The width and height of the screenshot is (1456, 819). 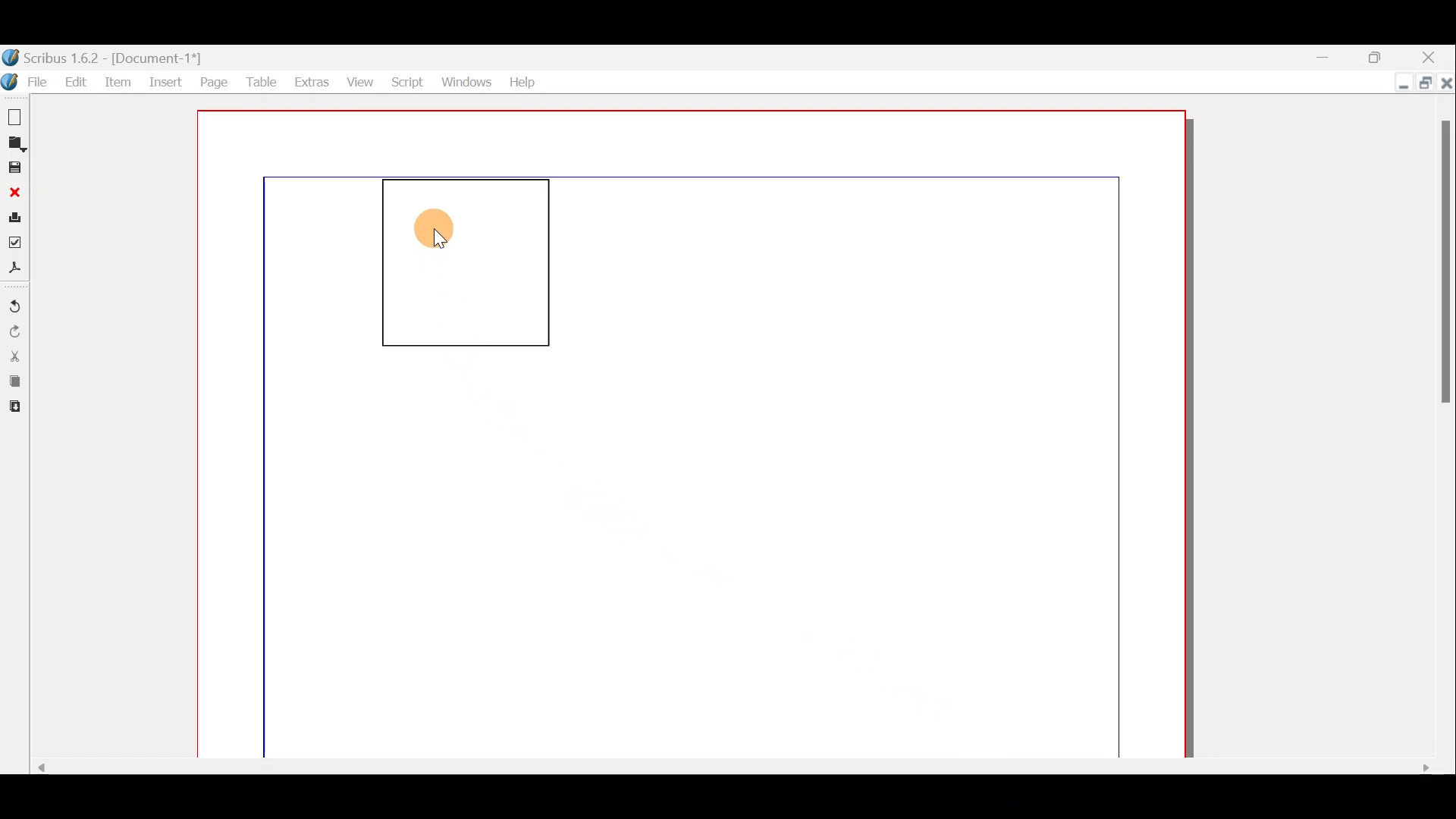 I want to click on Close, so click(x=1432, y=55).